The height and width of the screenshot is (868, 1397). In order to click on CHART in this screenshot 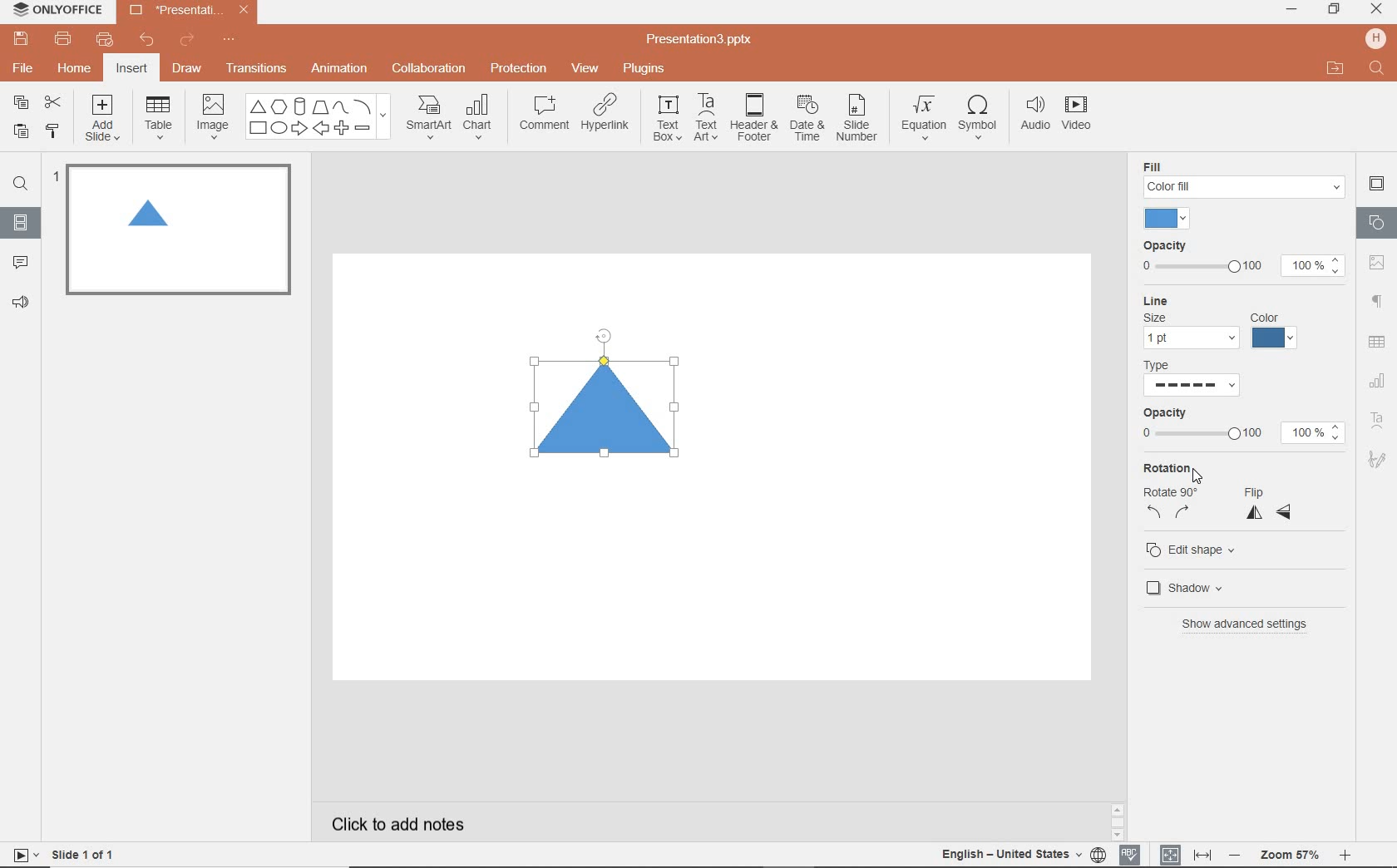, I will do `click(480, 118)`.